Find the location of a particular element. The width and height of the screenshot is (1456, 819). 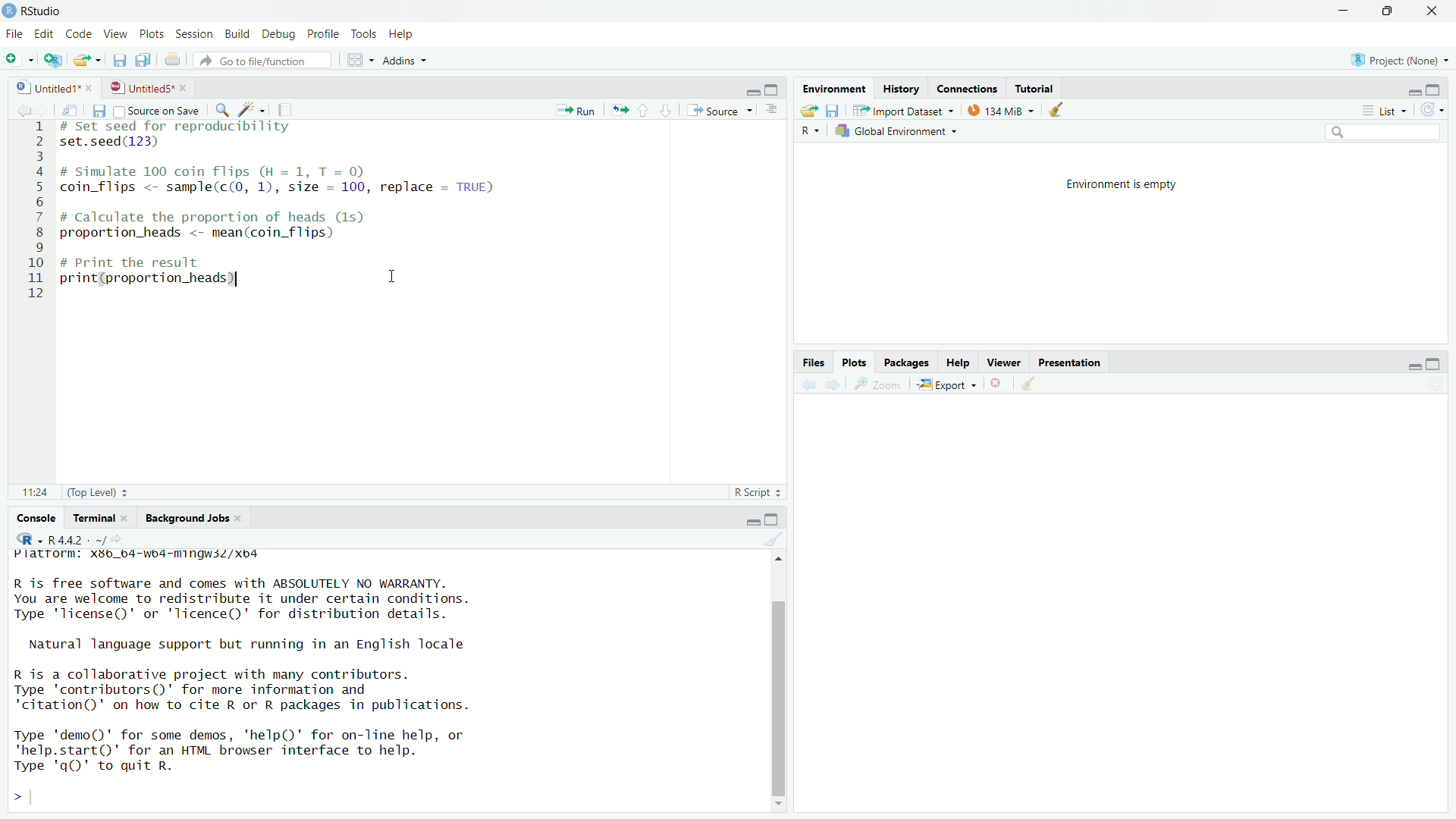

serial number is located at coordinates (35, 215).